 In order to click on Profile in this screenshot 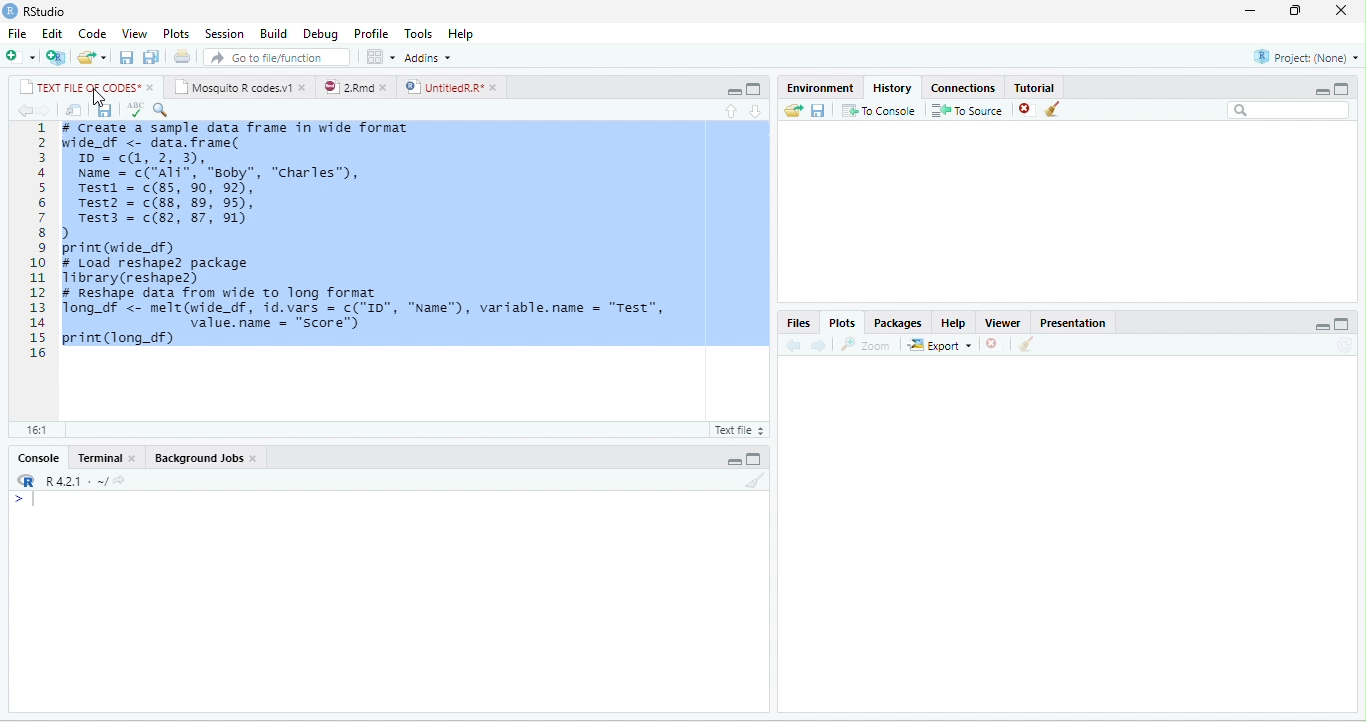, I will do `click(371, 34)`.